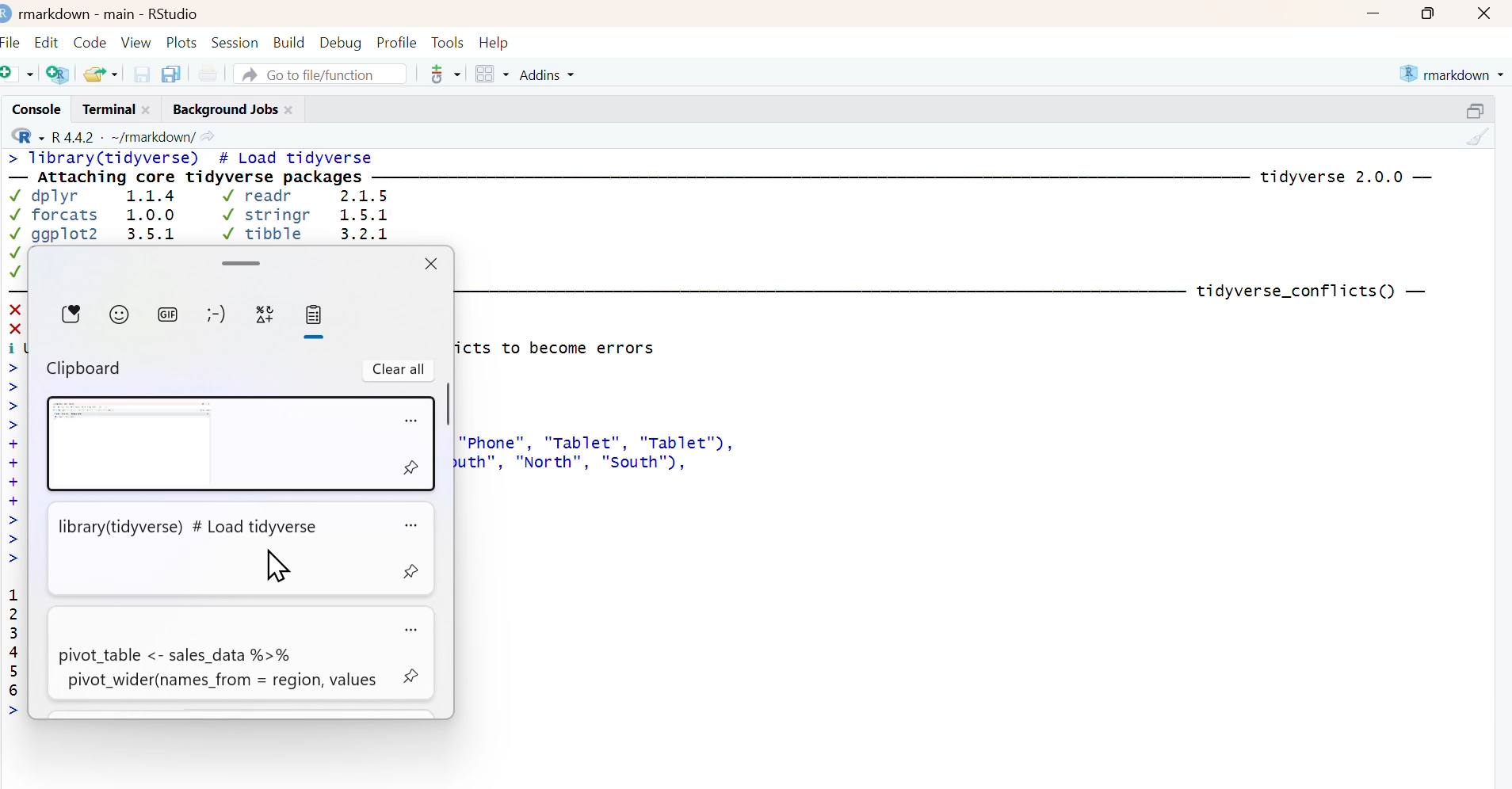  What do you see at coordinates (216, 652) in the screenshot?
I see `pivot_table <- sales_data %>%
pivot_wider(names_from = region, values` at bounding box center [216, 652].